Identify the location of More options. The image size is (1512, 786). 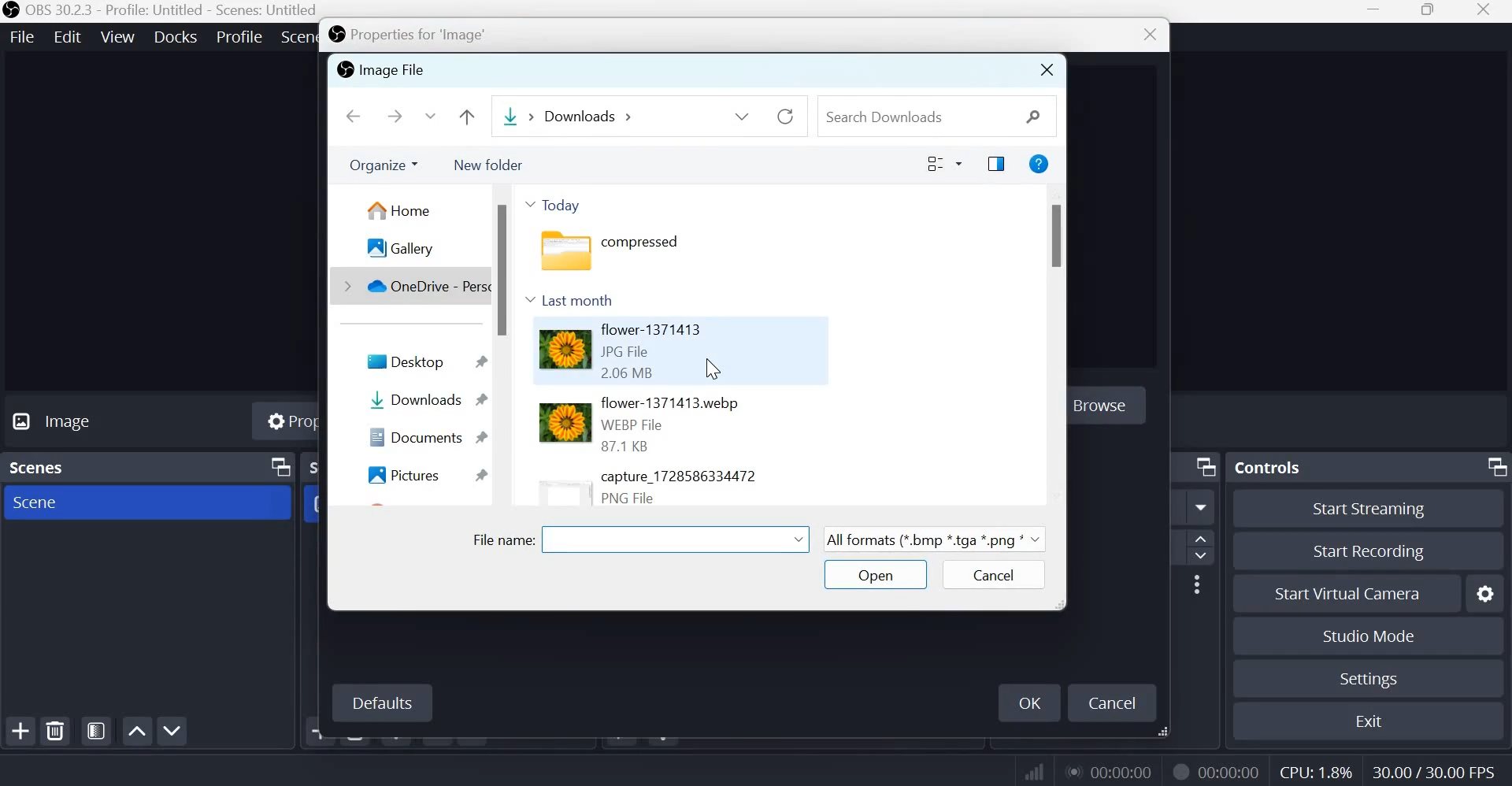
(1202, 508).